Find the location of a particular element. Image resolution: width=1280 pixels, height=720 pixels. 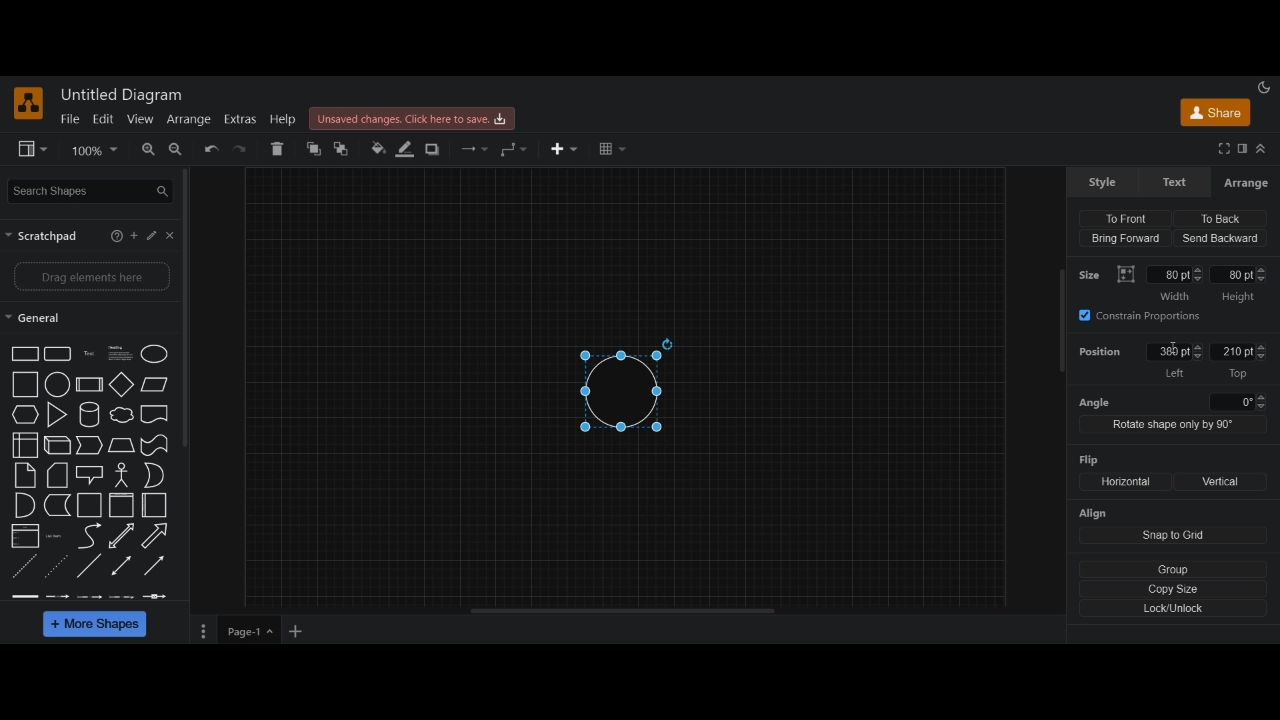

bring forward is located at coordinates (1124, 240).